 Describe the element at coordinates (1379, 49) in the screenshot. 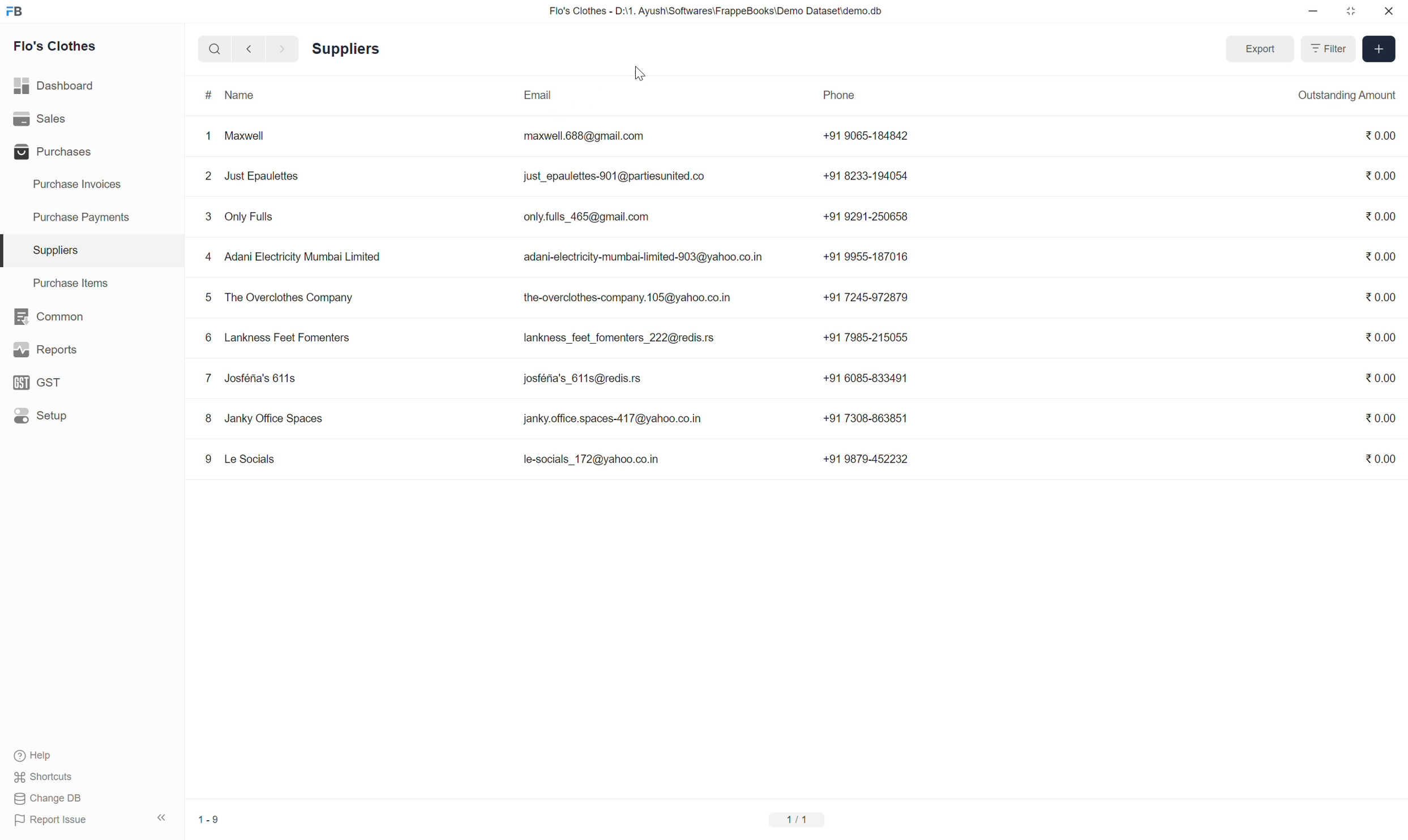

I see `Add` at that location.